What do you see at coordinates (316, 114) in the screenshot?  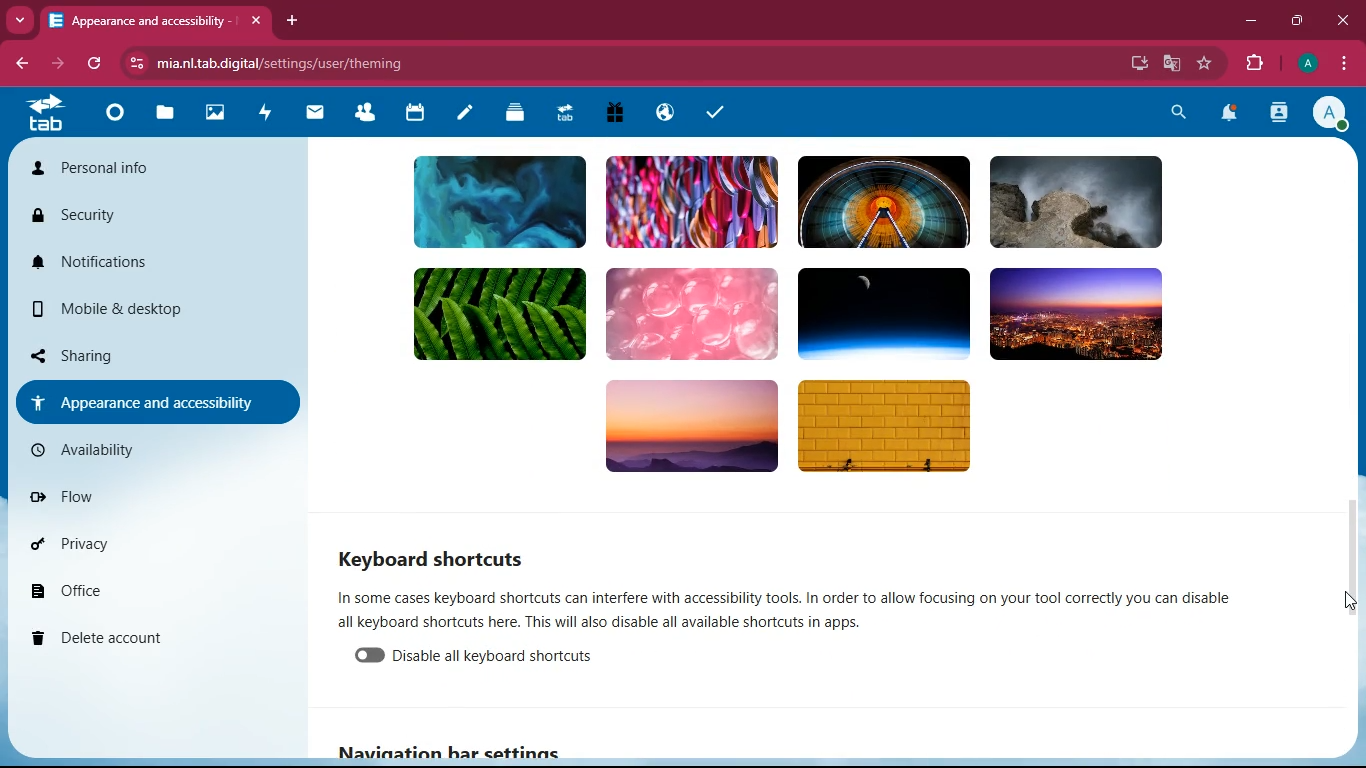 I see `mail` at bounding box center [316, 114].